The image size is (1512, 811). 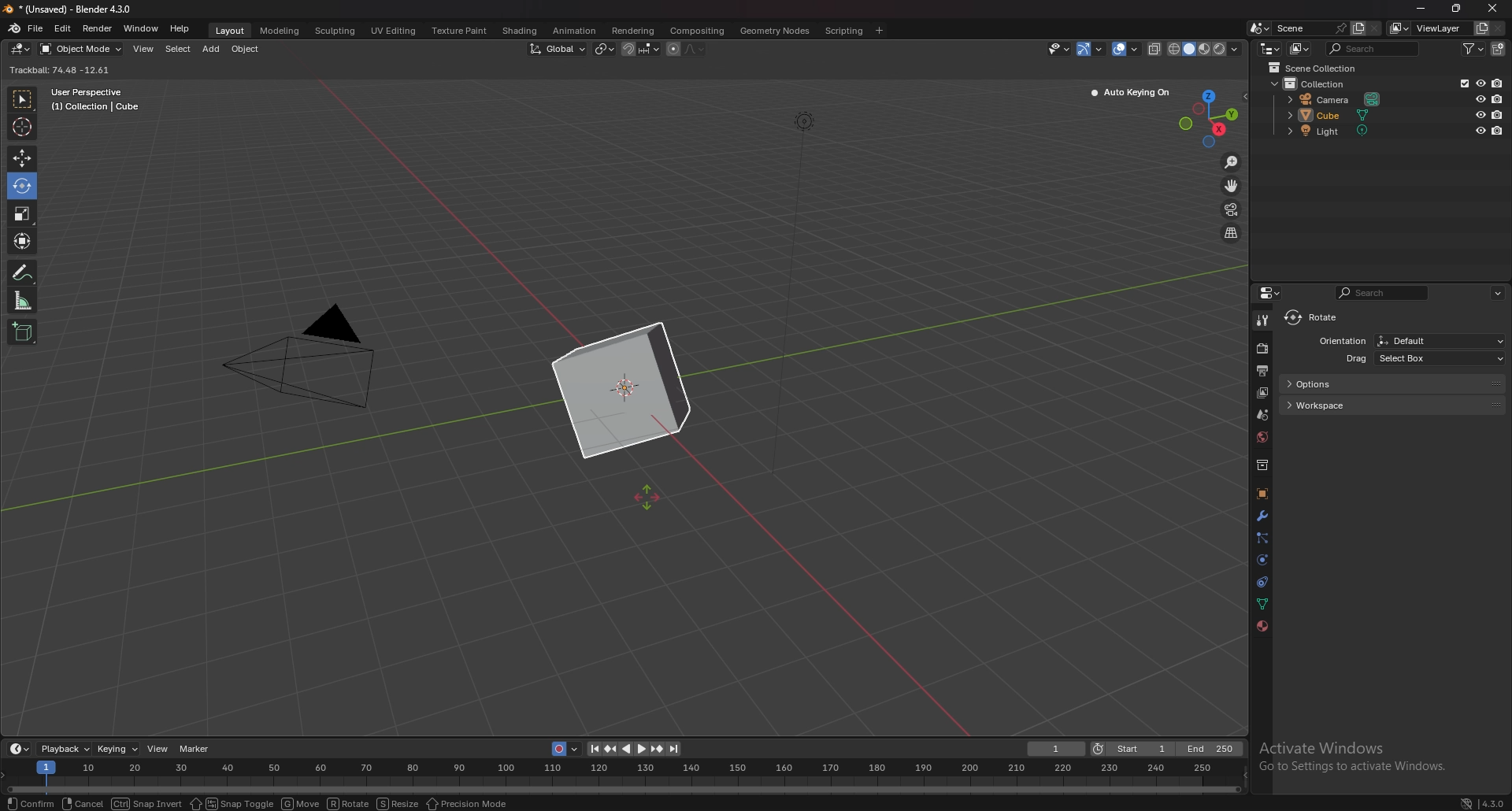 I want to click on measure, so click(x=23, y=300).